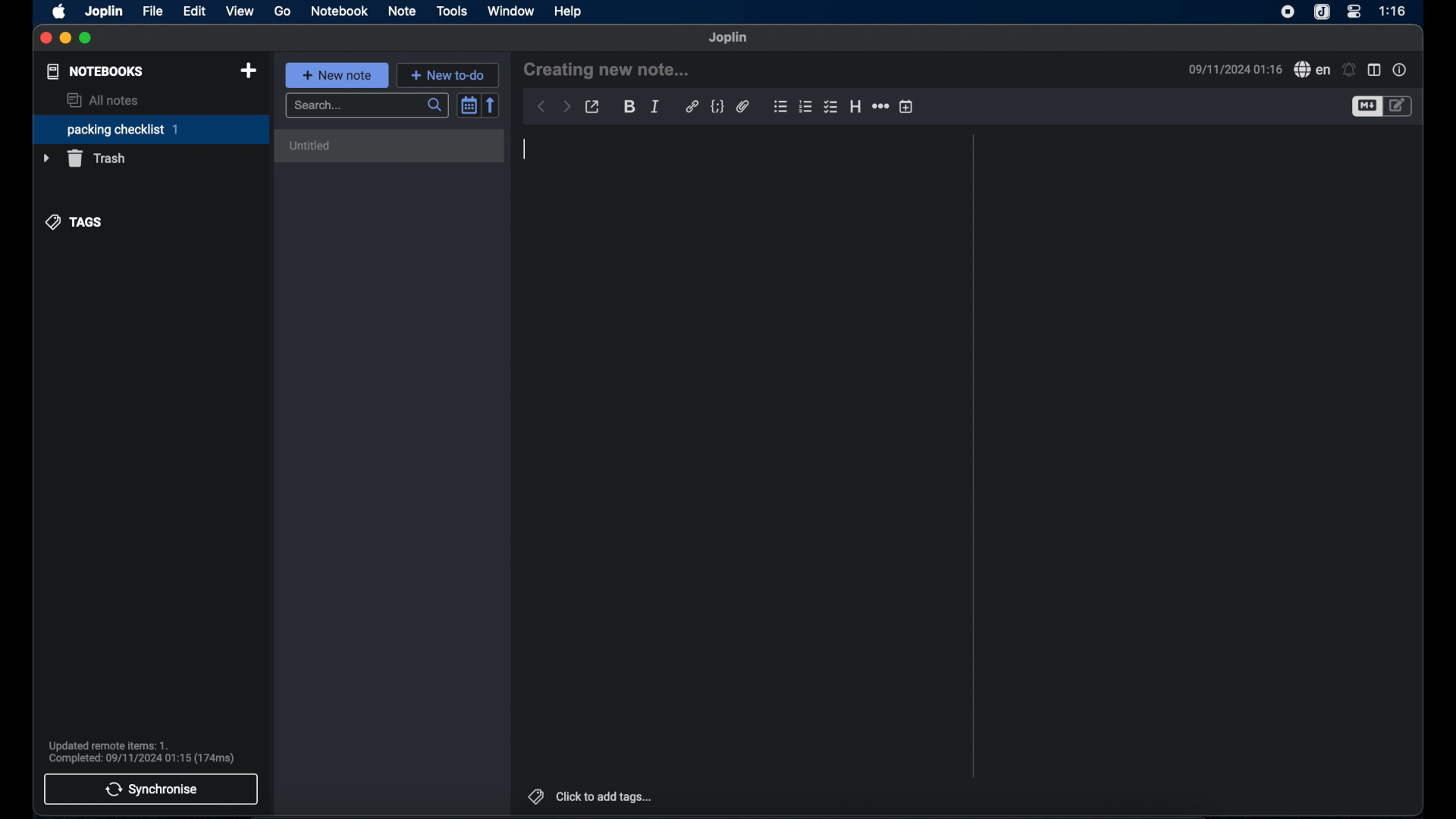 This screenshot has width=1456, height=819. I want to click on set alarm, so click(1349, 69).